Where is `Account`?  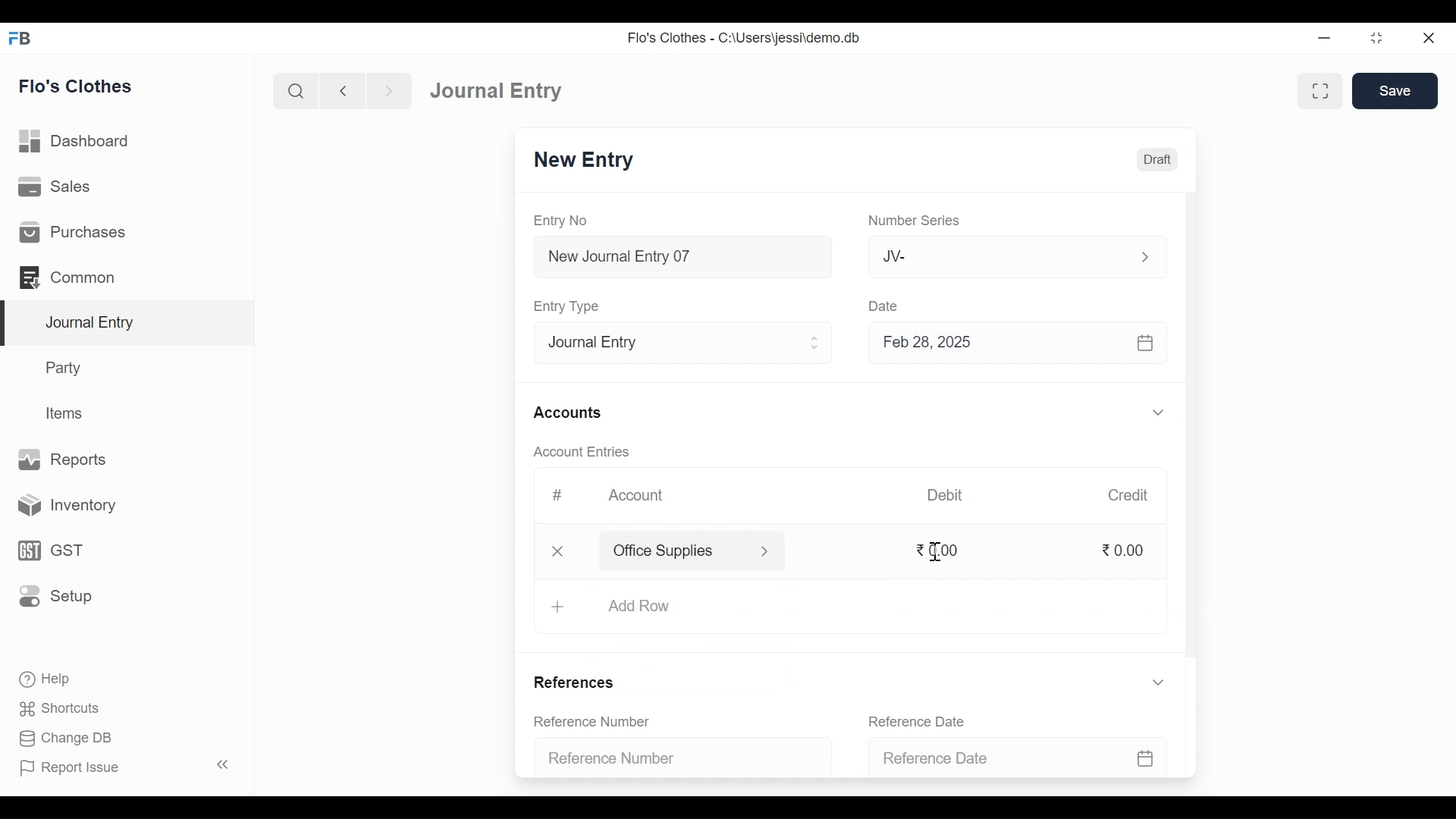
Account is located at coordinates (635, 493).